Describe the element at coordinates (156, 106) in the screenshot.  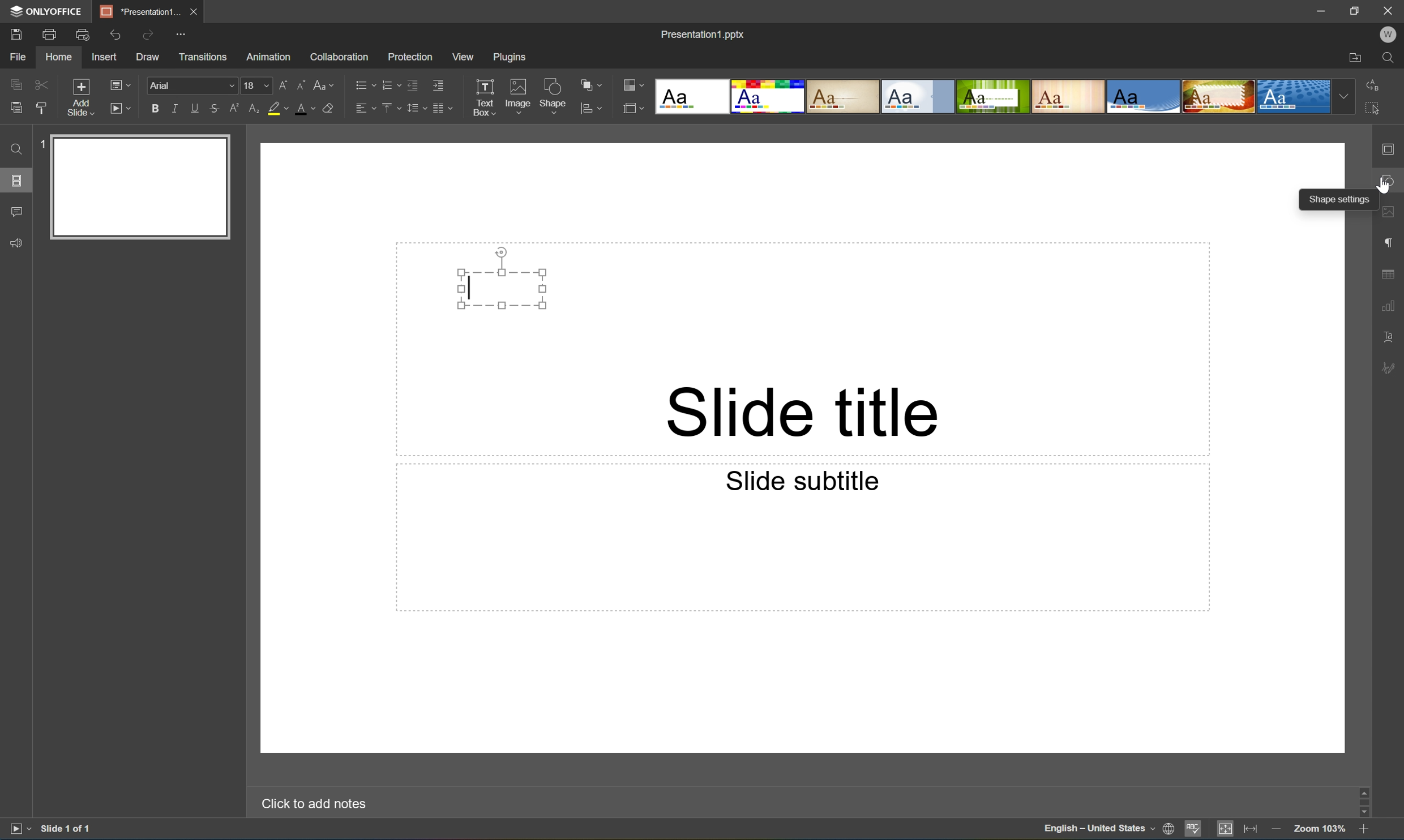
I see `Bold` at that location.